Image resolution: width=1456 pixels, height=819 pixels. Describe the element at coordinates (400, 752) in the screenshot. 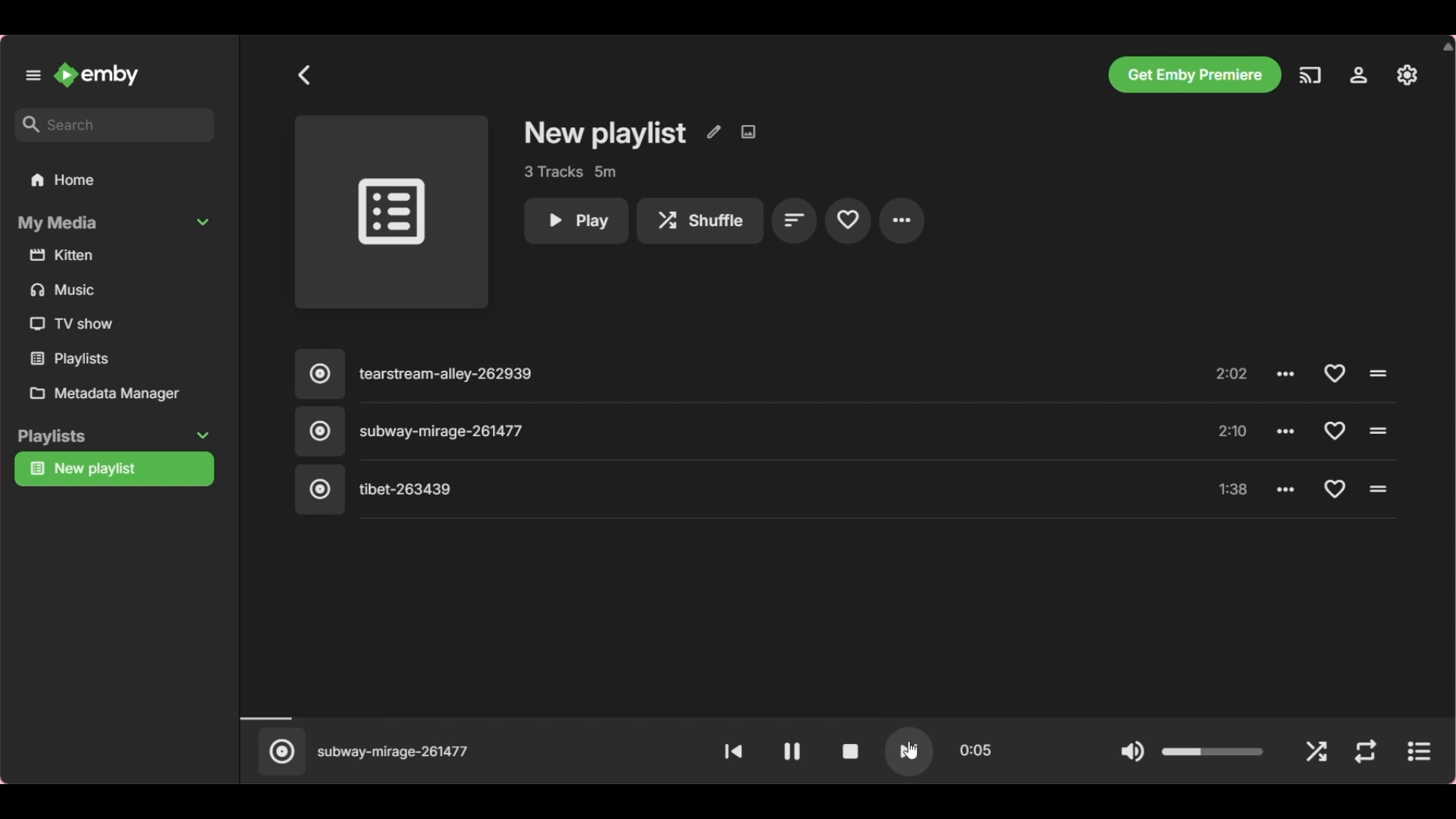

I see `subway mirage 261477` at that location.